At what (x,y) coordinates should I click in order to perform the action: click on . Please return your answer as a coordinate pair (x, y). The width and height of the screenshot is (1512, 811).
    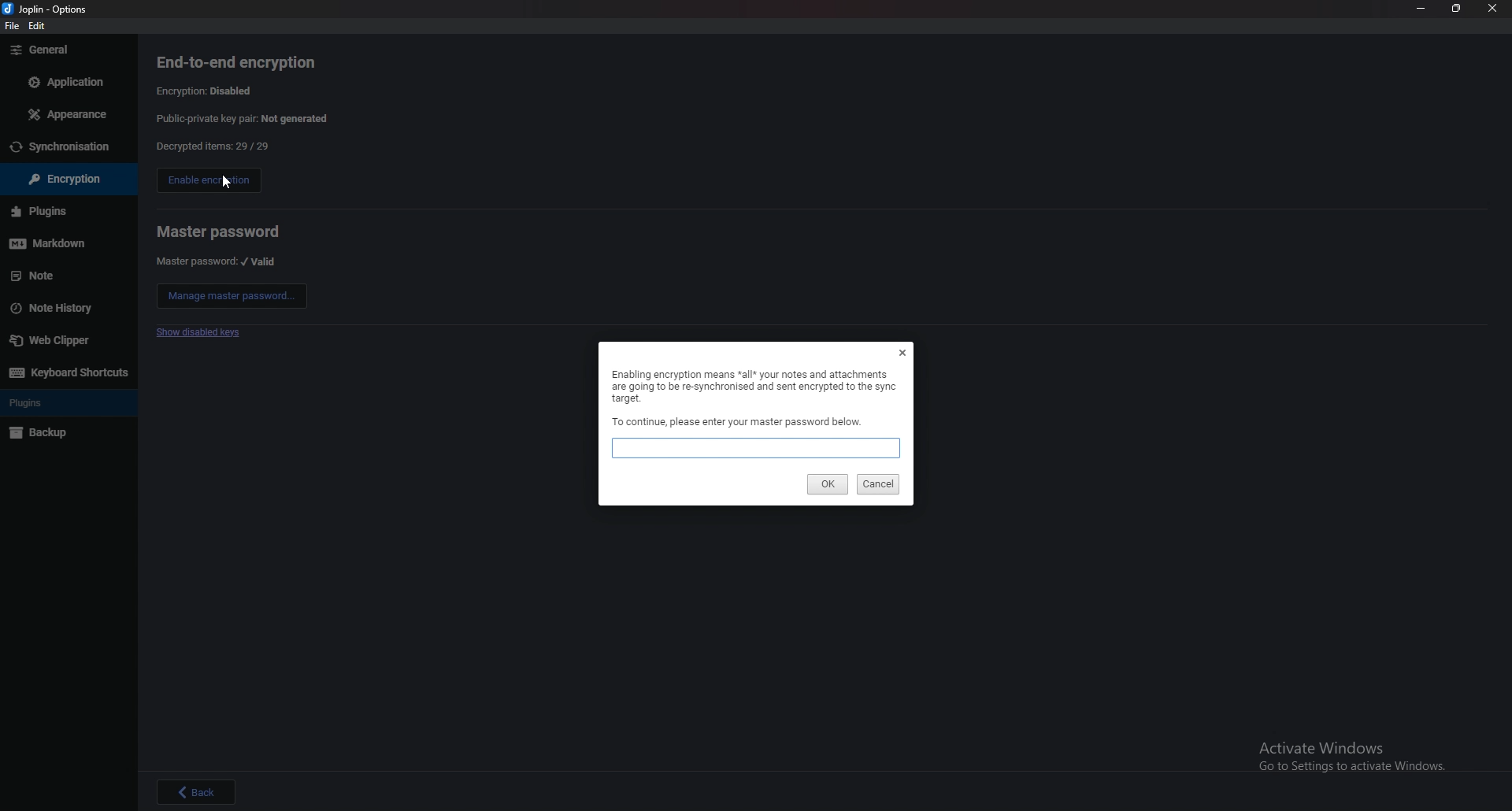
    Looking at the image, I should click on (44, 435).